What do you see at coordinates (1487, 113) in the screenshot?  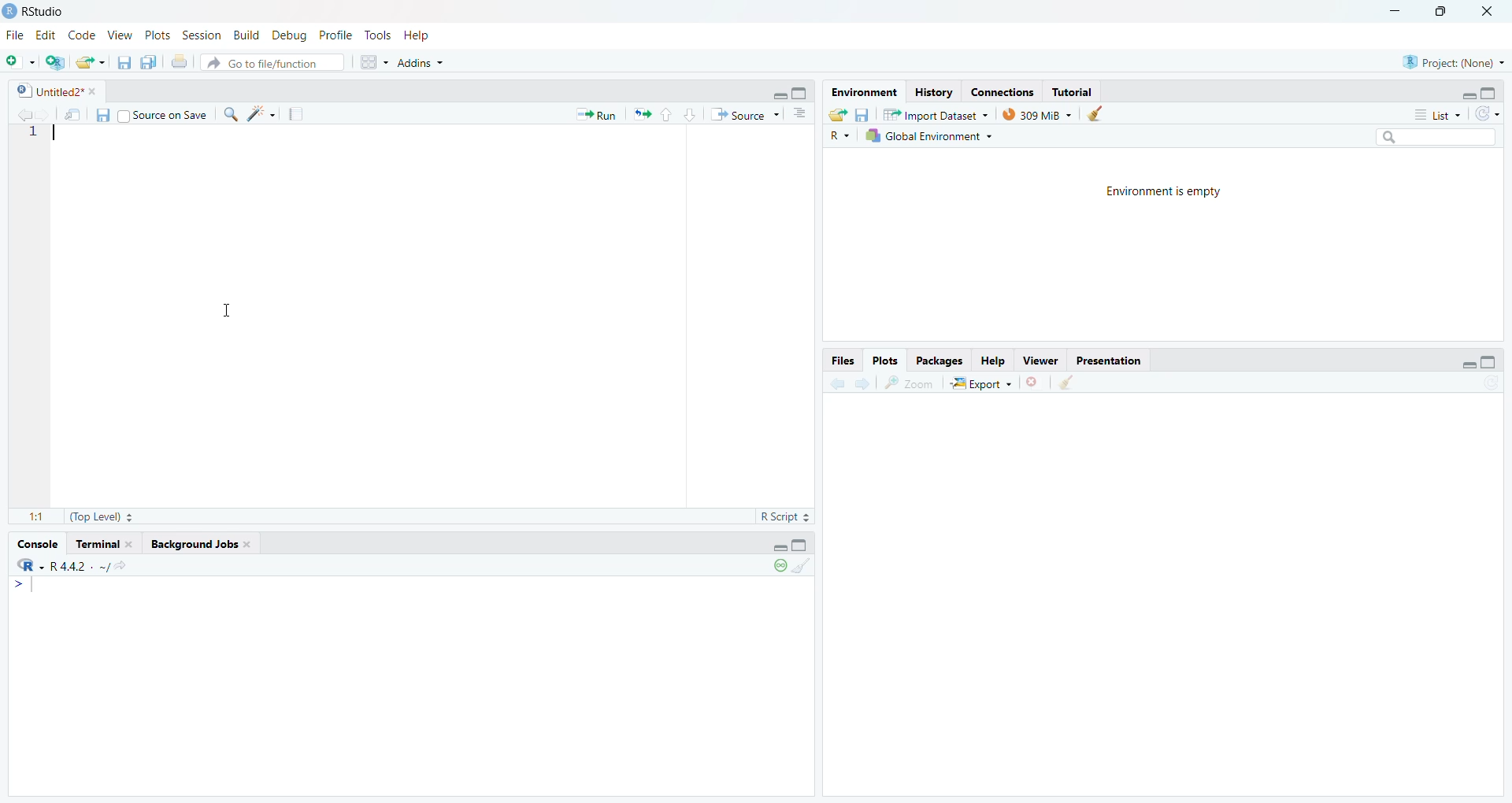 I see `refresh` at bounding box center [1487, 113].